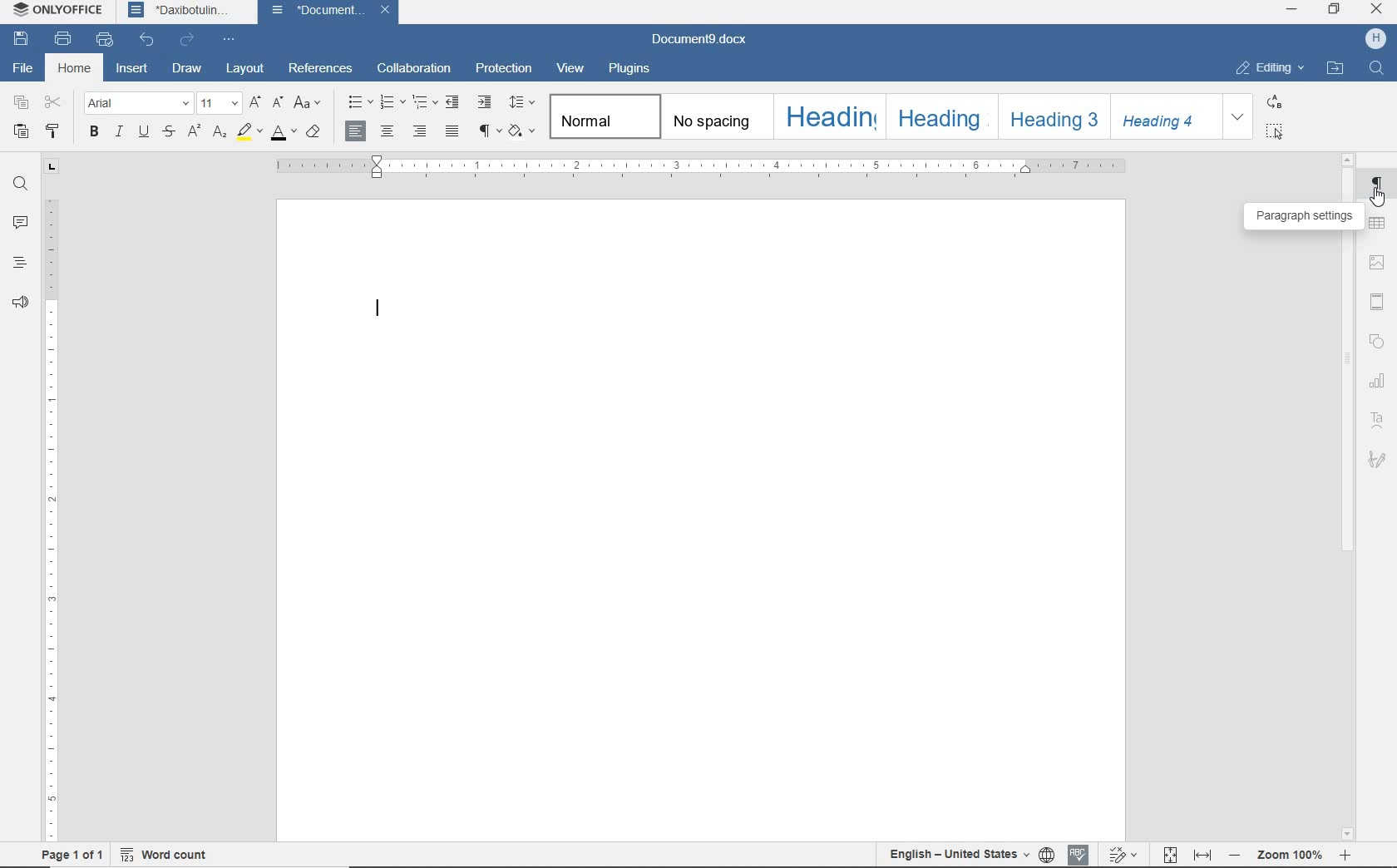 Image resolution: width=1397 pixels, height=868 pixels. Describe the element at coordinates (1379, 188) in the screenshot. I see `paragraph settings` at that location.